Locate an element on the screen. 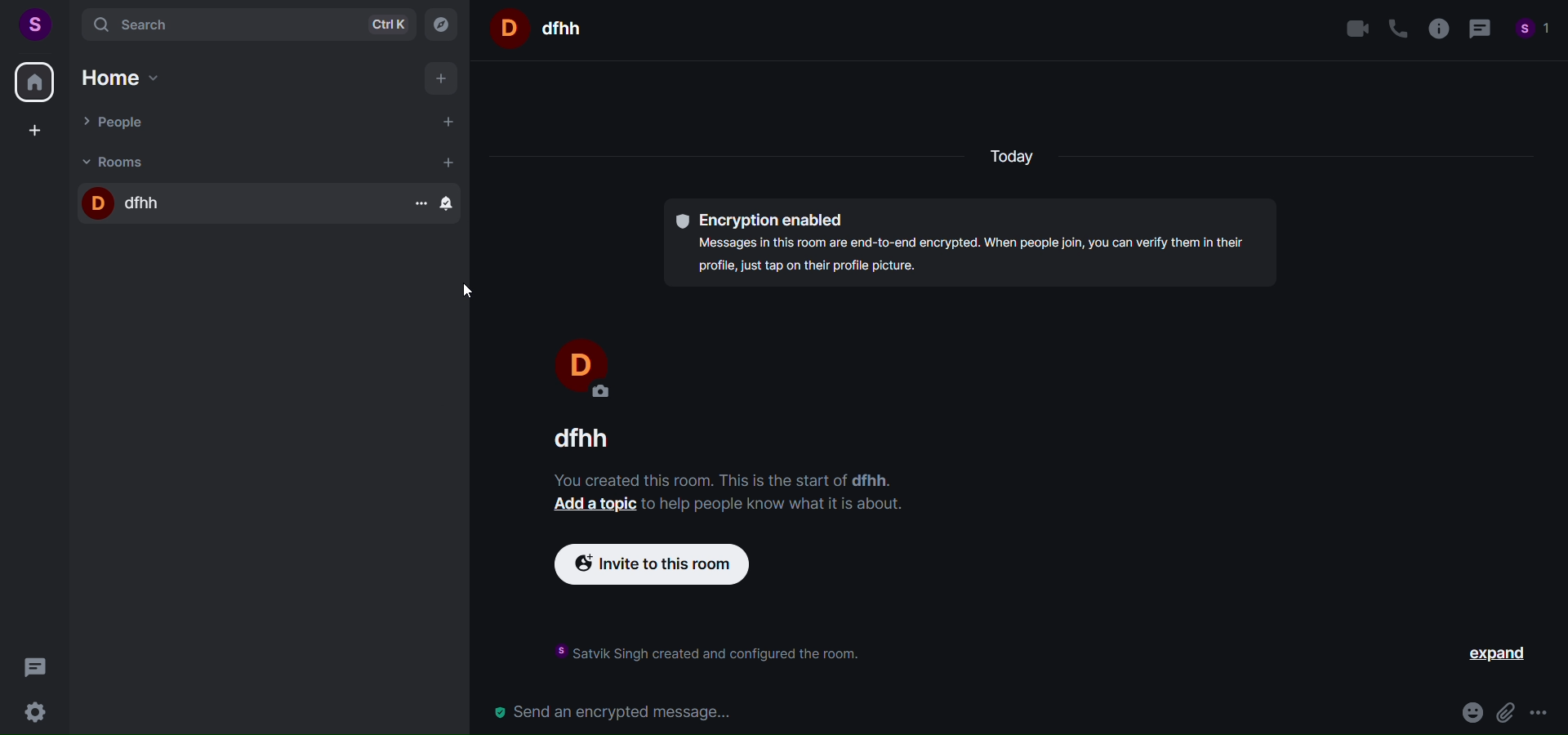 The width and height of the screenshot is (1568, 735). Today is located at coordinates (1018, 159).